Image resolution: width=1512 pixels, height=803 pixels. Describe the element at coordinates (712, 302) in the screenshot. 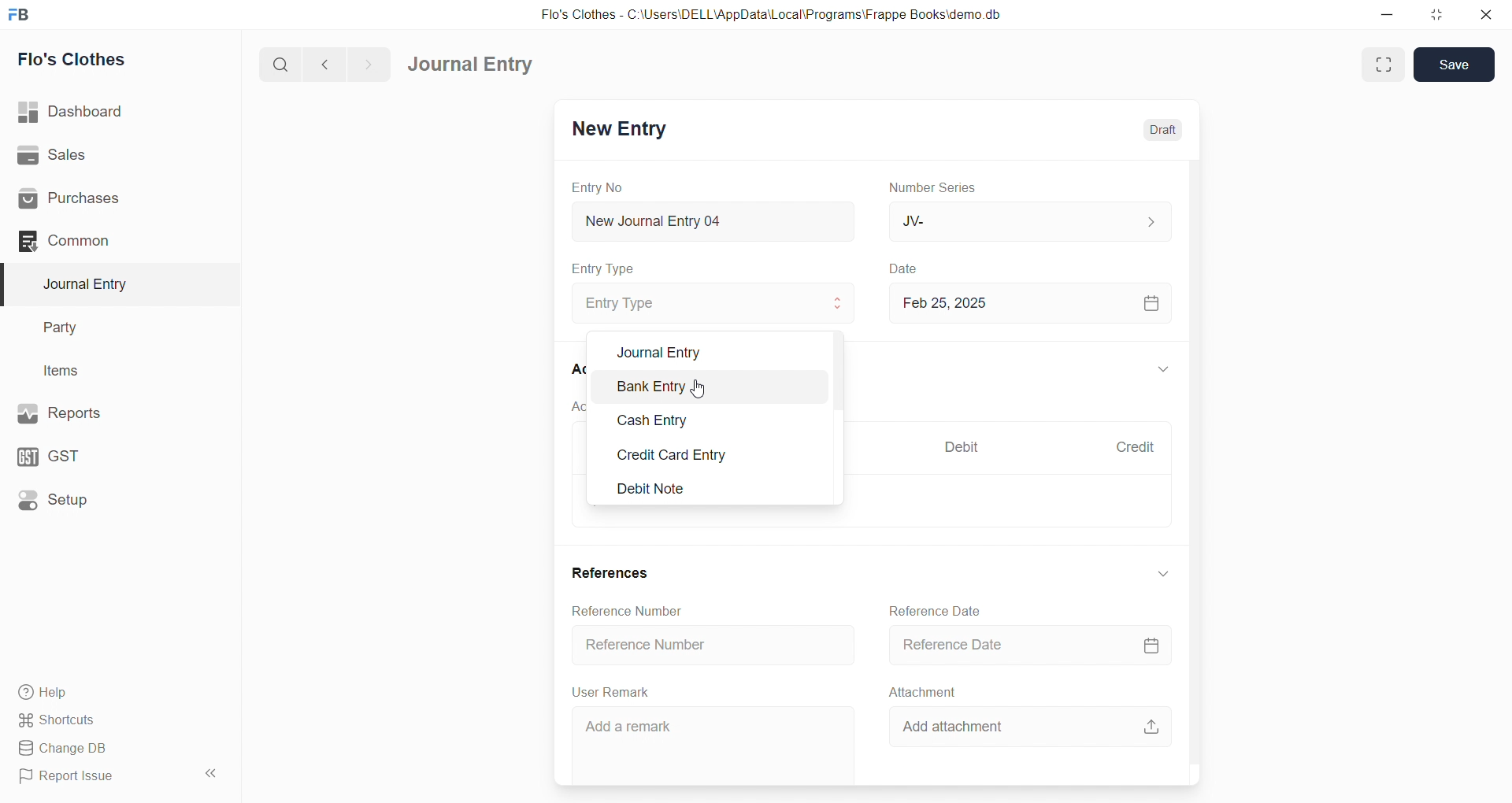

I see `Entry Type` at that location.